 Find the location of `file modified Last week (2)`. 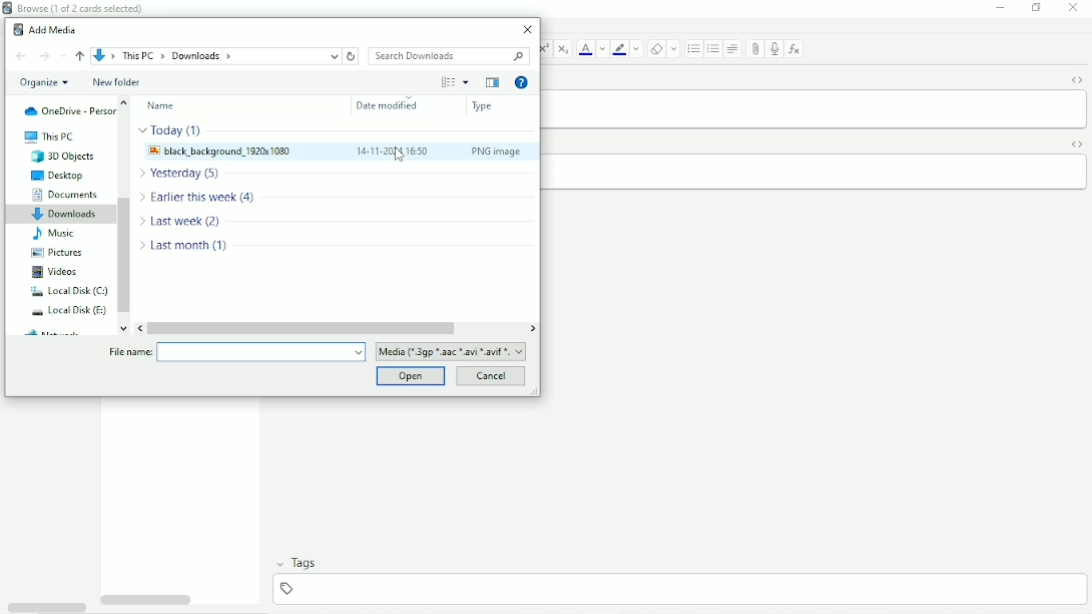

file modified Last week (2) is located at coordinates (181, 221).